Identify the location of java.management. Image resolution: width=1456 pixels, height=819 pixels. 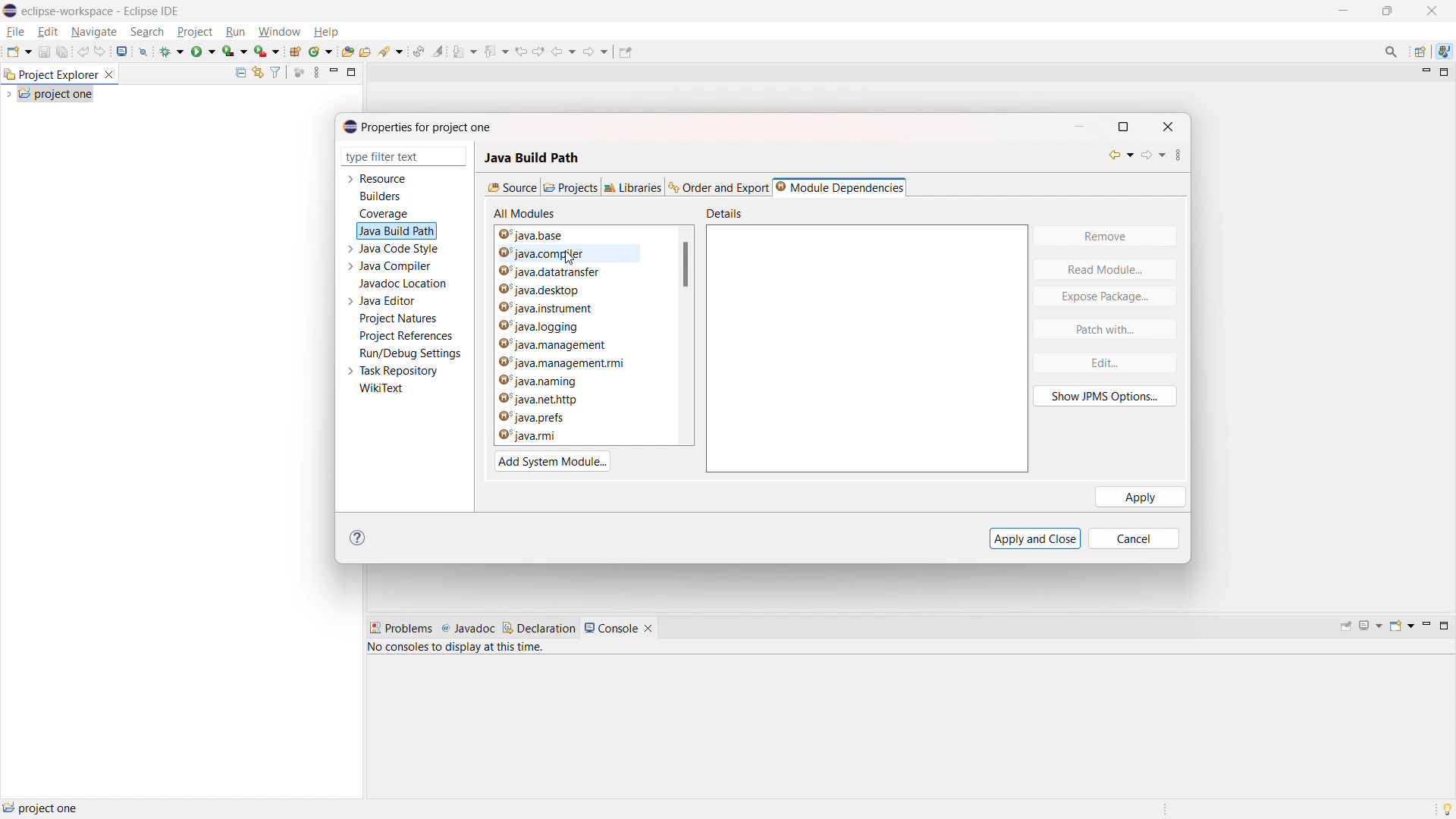
(570, 344).